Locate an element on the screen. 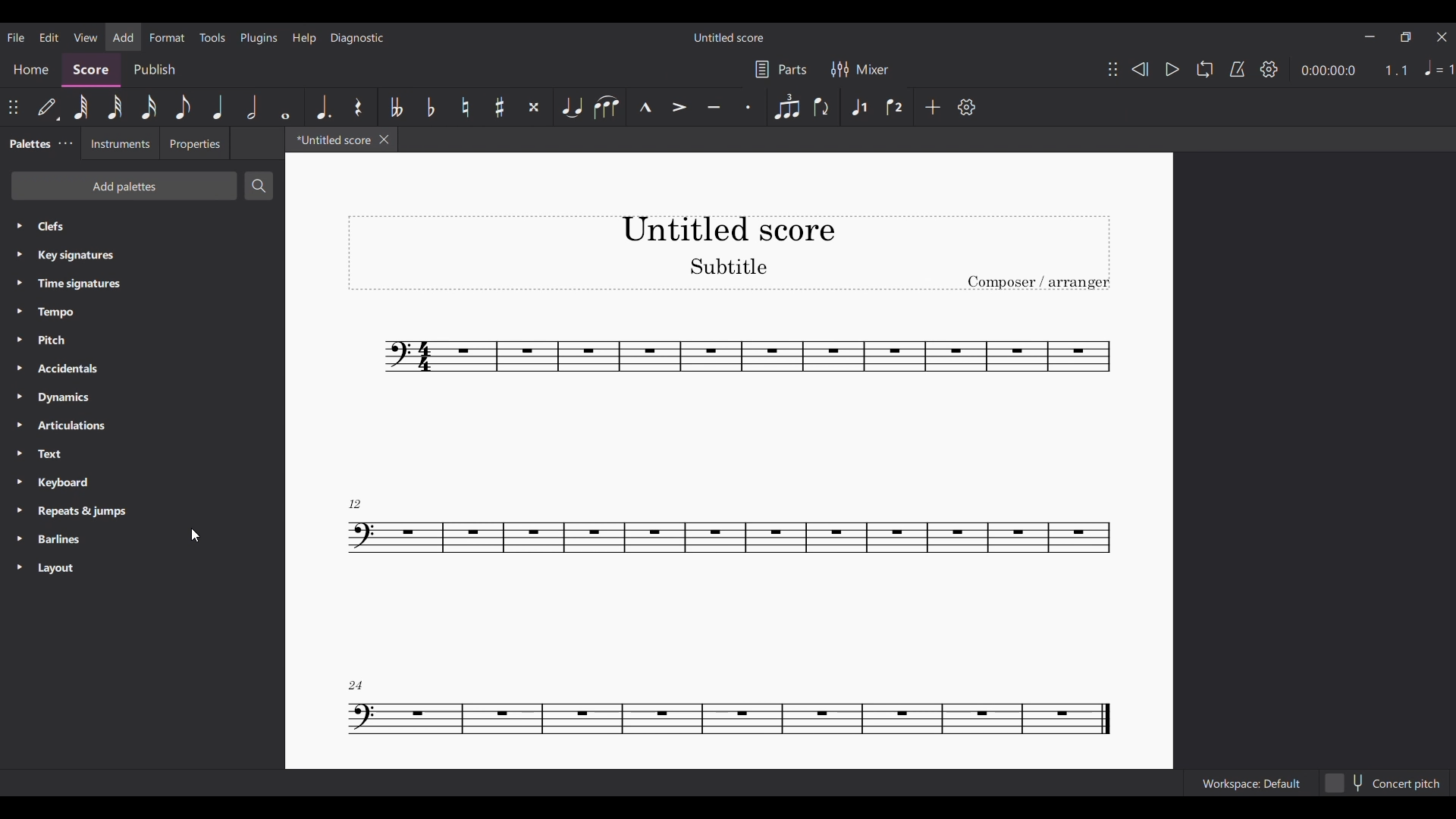 The width and height of the screenshot is (1456, 819).  is located at coordinates (148, 111).